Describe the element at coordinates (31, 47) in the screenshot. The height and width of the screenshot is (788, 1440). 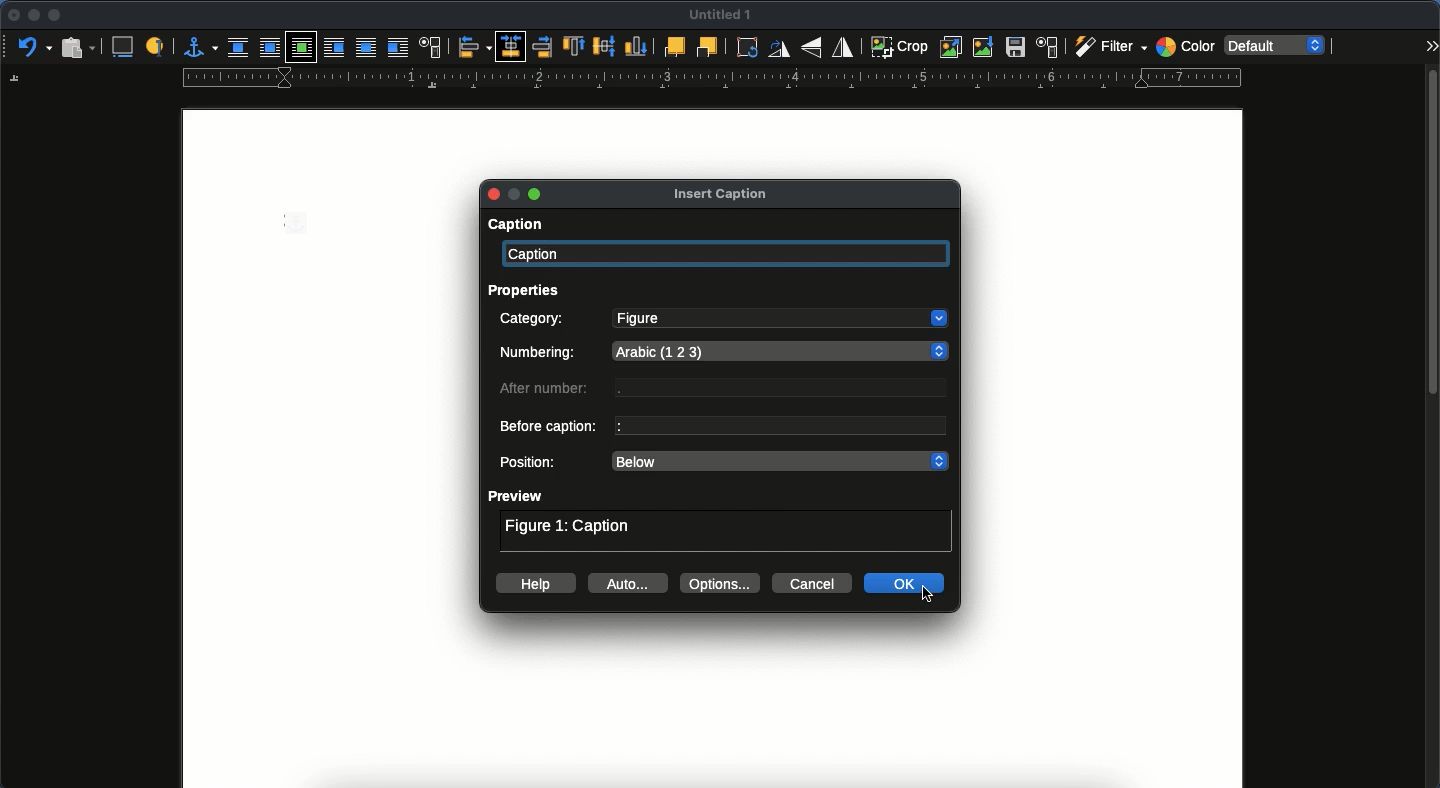
I see `undo` at that location.